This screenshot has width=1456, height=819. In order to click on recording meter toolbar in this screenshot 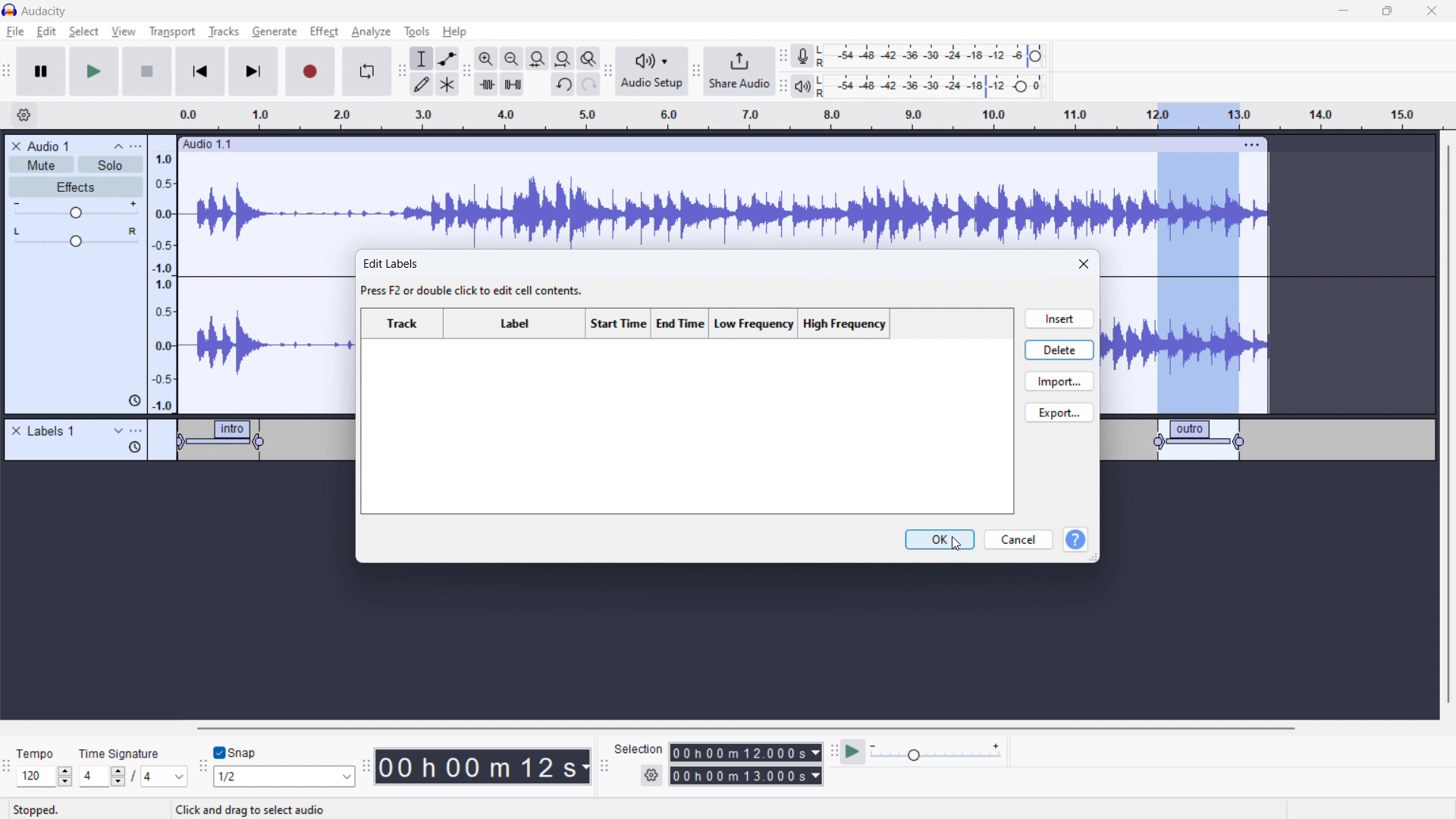, I will do `click(783, 58)`.